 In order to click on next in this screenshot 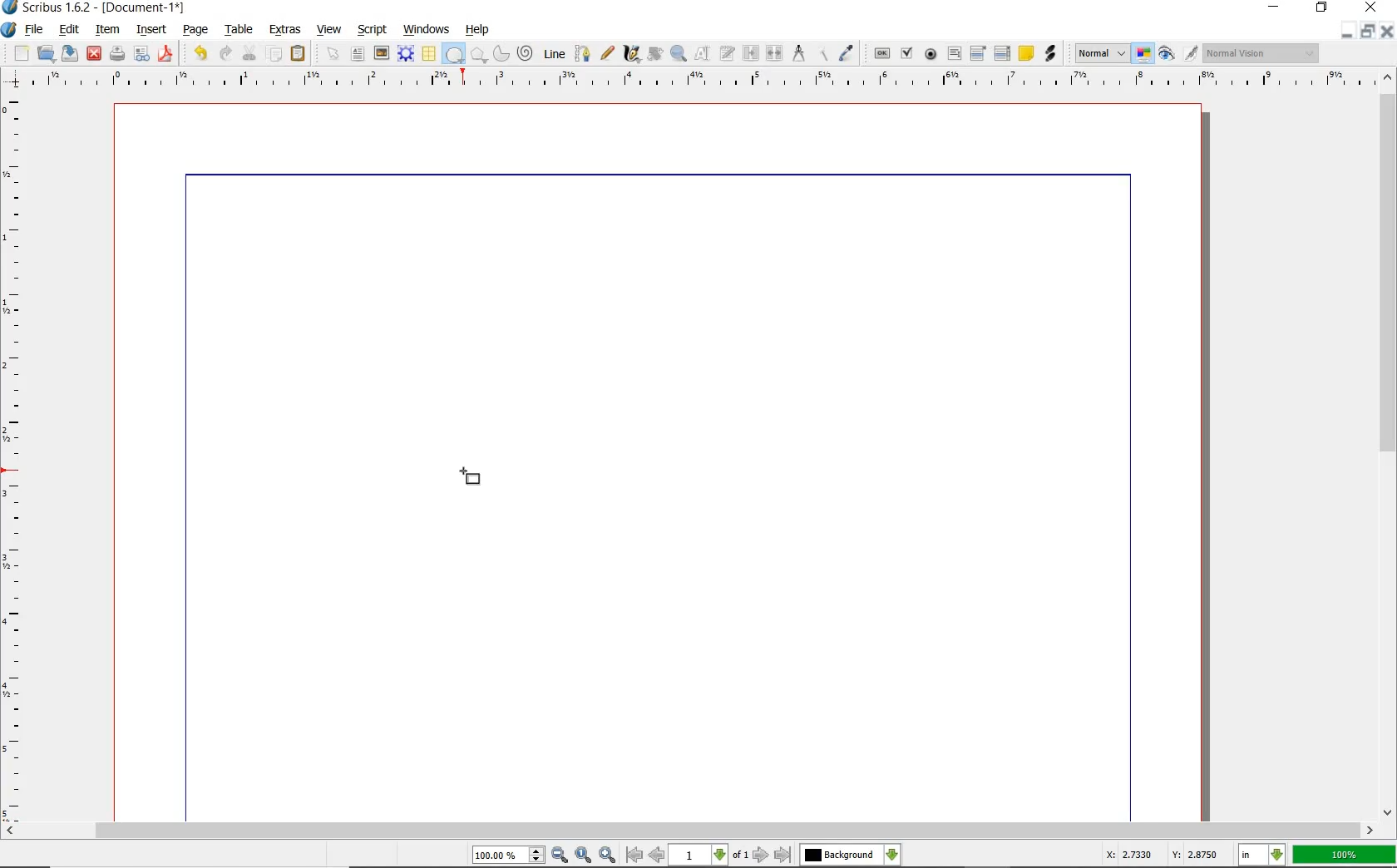, I will do `click(761, 855)`.